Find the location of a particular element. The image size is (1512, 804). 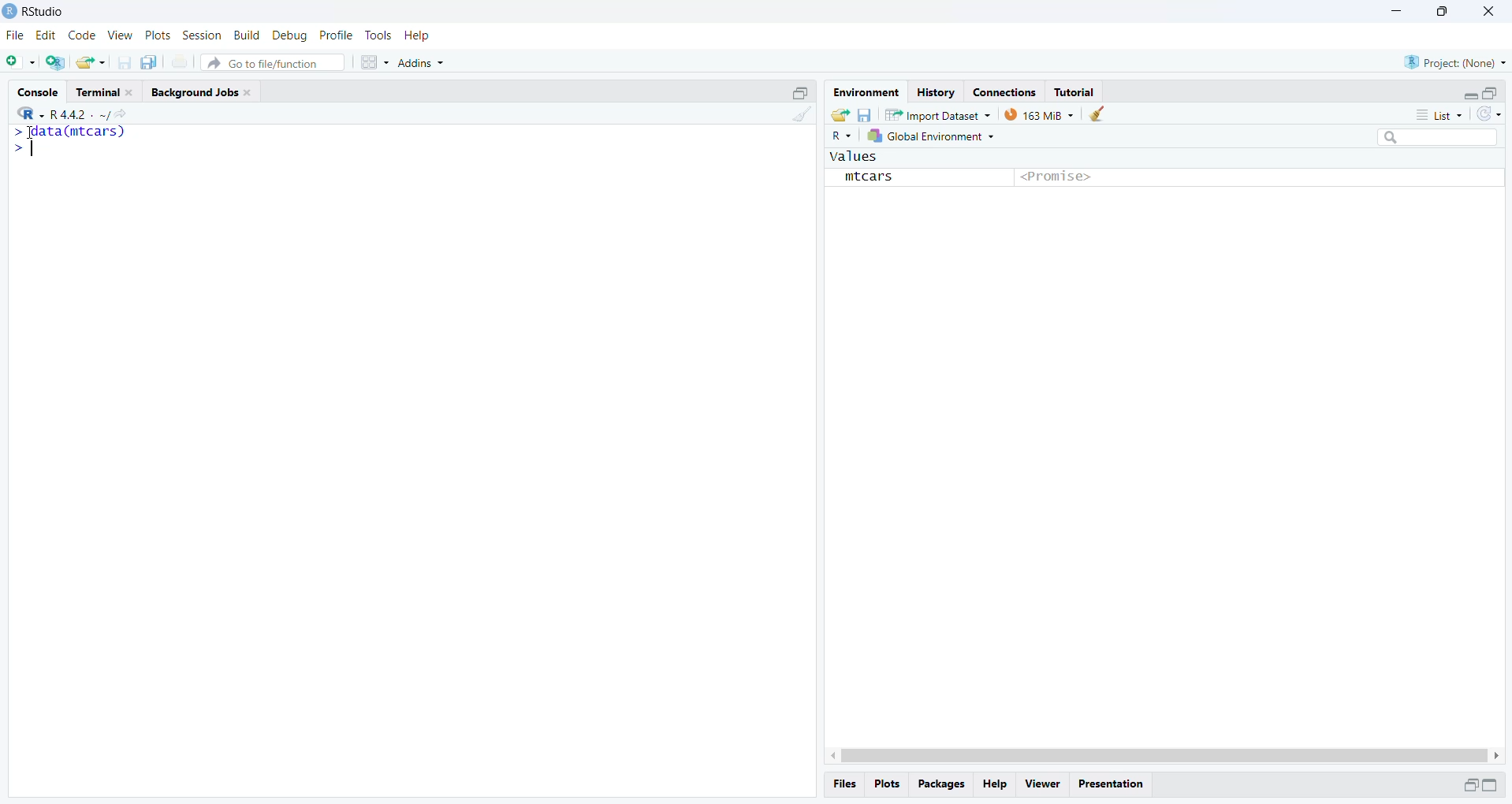

Global Environment is located at coordinates (932, 136).